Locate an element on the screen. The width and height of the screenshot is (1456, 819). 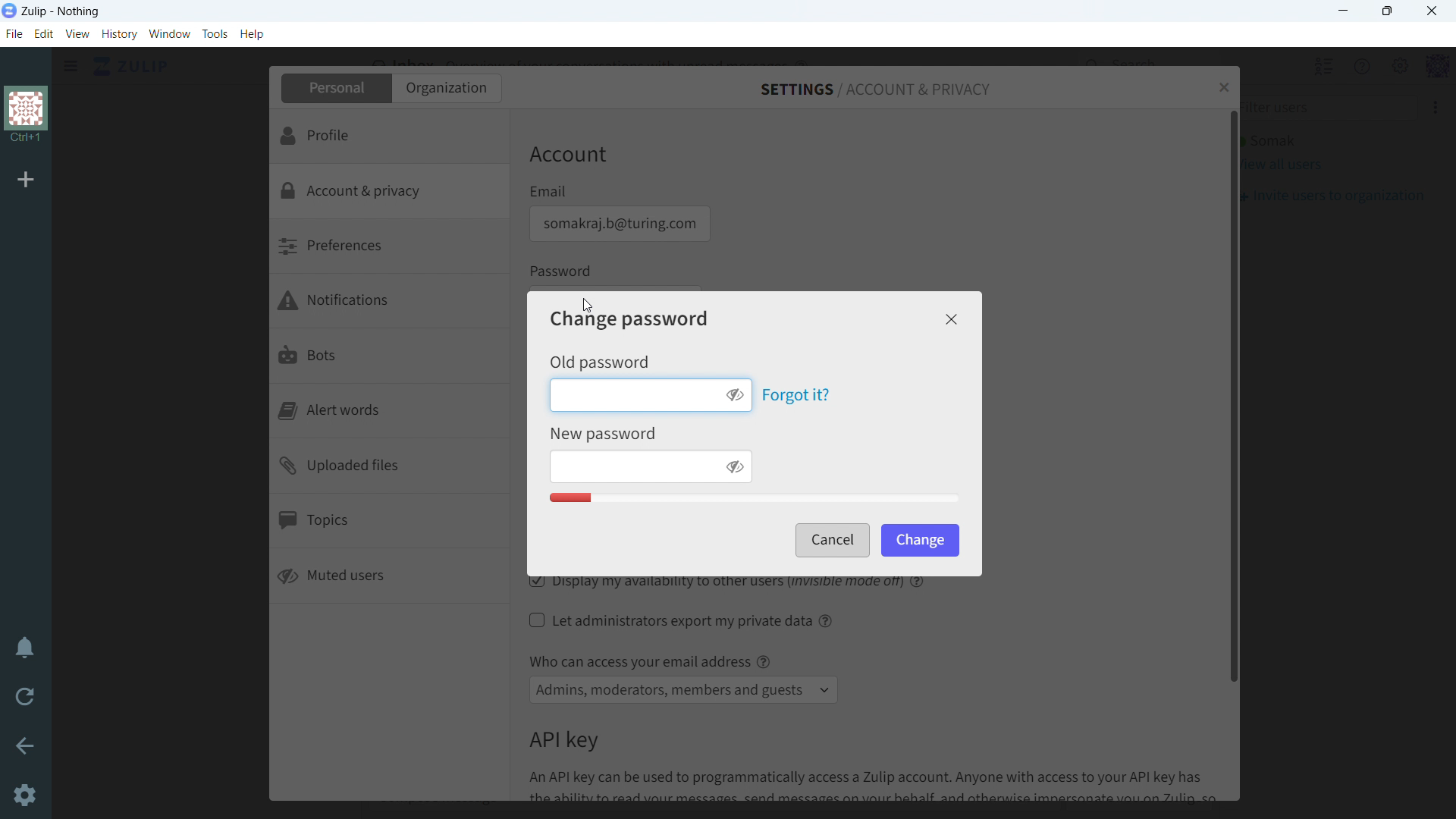
enter old password is located at coordinates (631, 394).